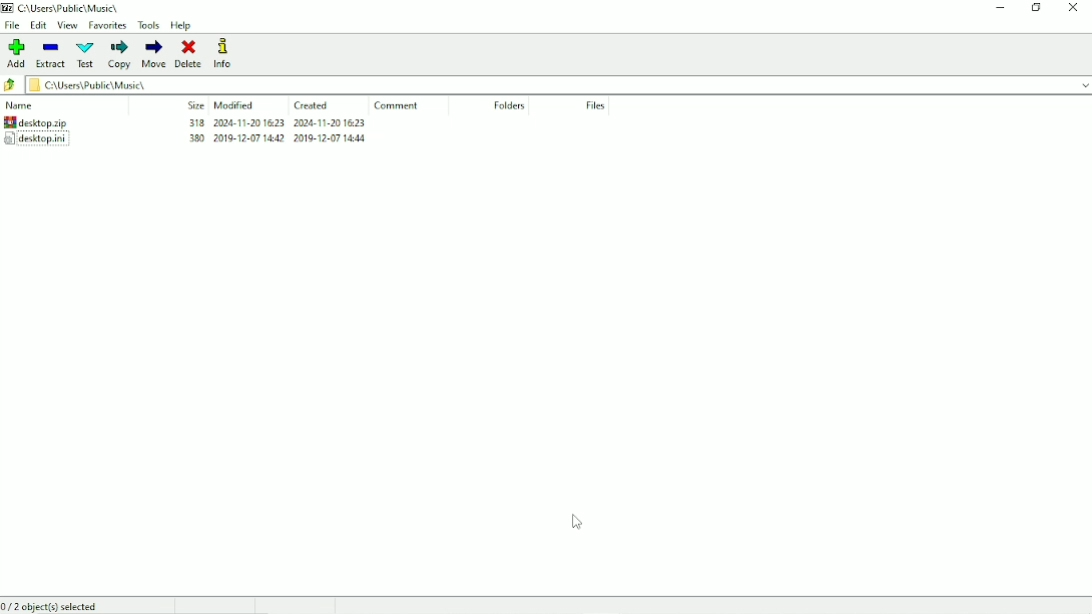 This screenshot has width=1092, height=614. What do you see at coordinates (184, 122) in the screenshot?
I see `Archive created` at bounding box center [184, 122].